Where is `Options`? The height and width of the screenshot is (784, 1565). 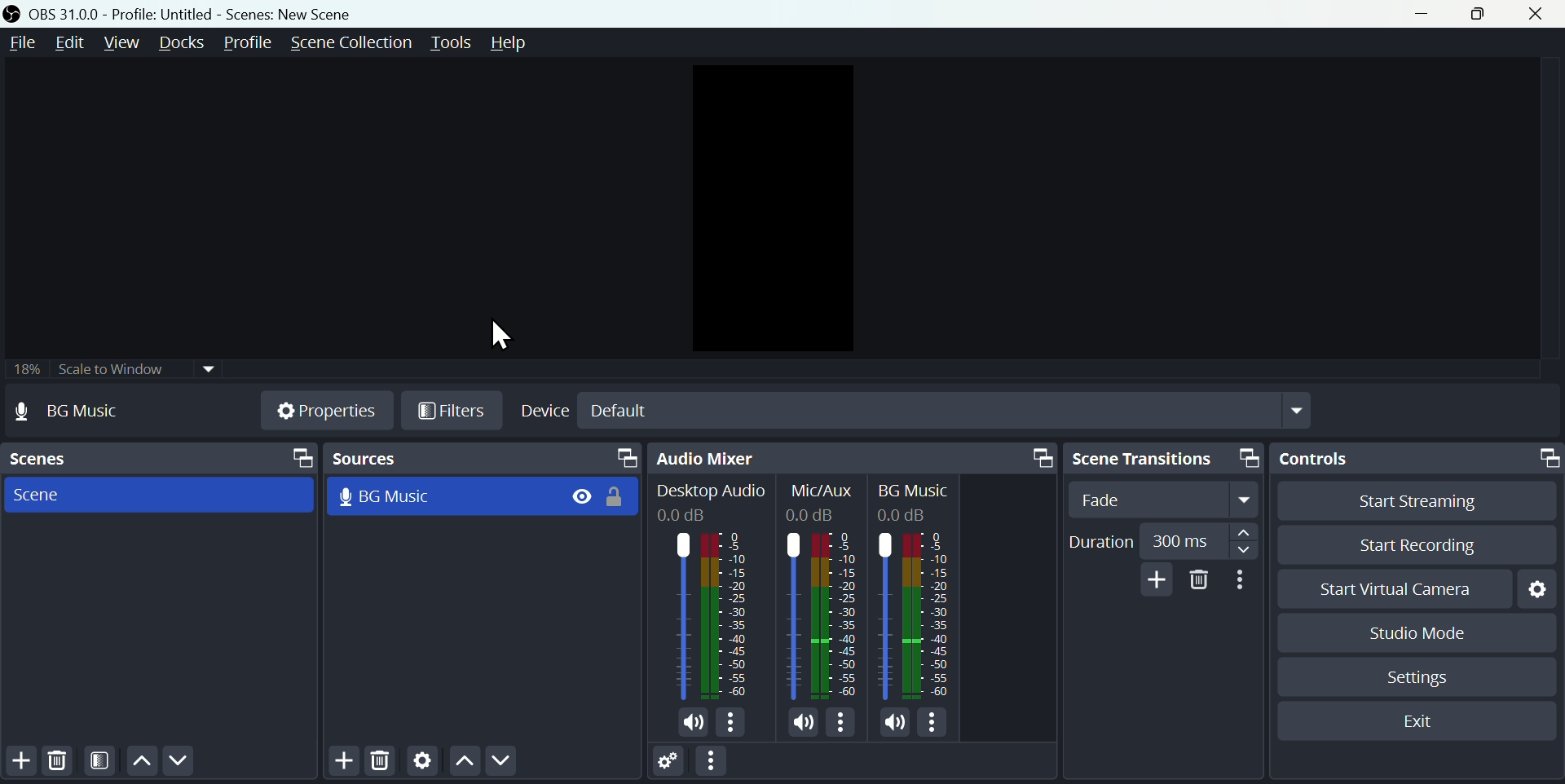 Options is located at coordinates (841, 723).